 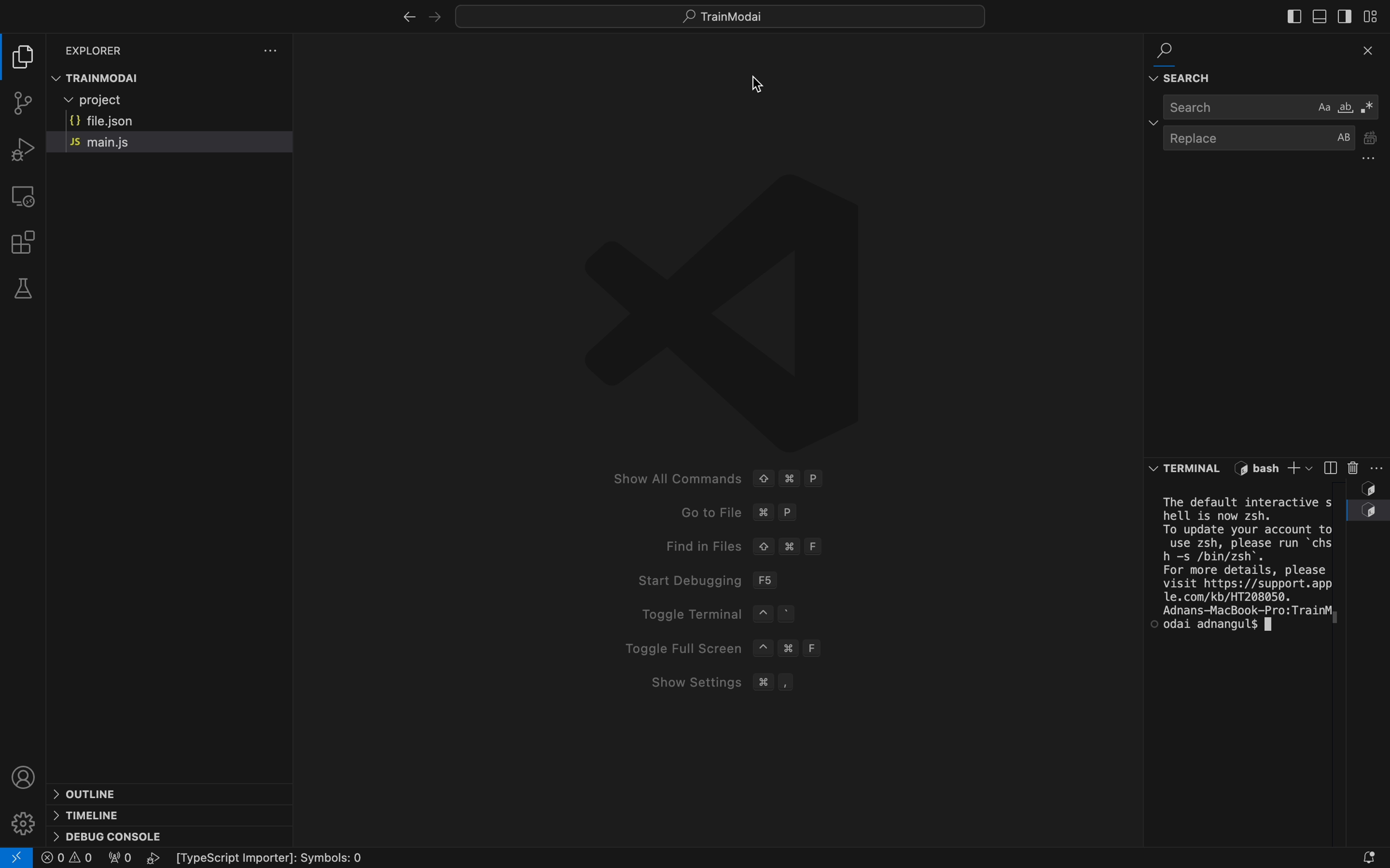 I want to click on terminal, so click(x=1234, y=576).